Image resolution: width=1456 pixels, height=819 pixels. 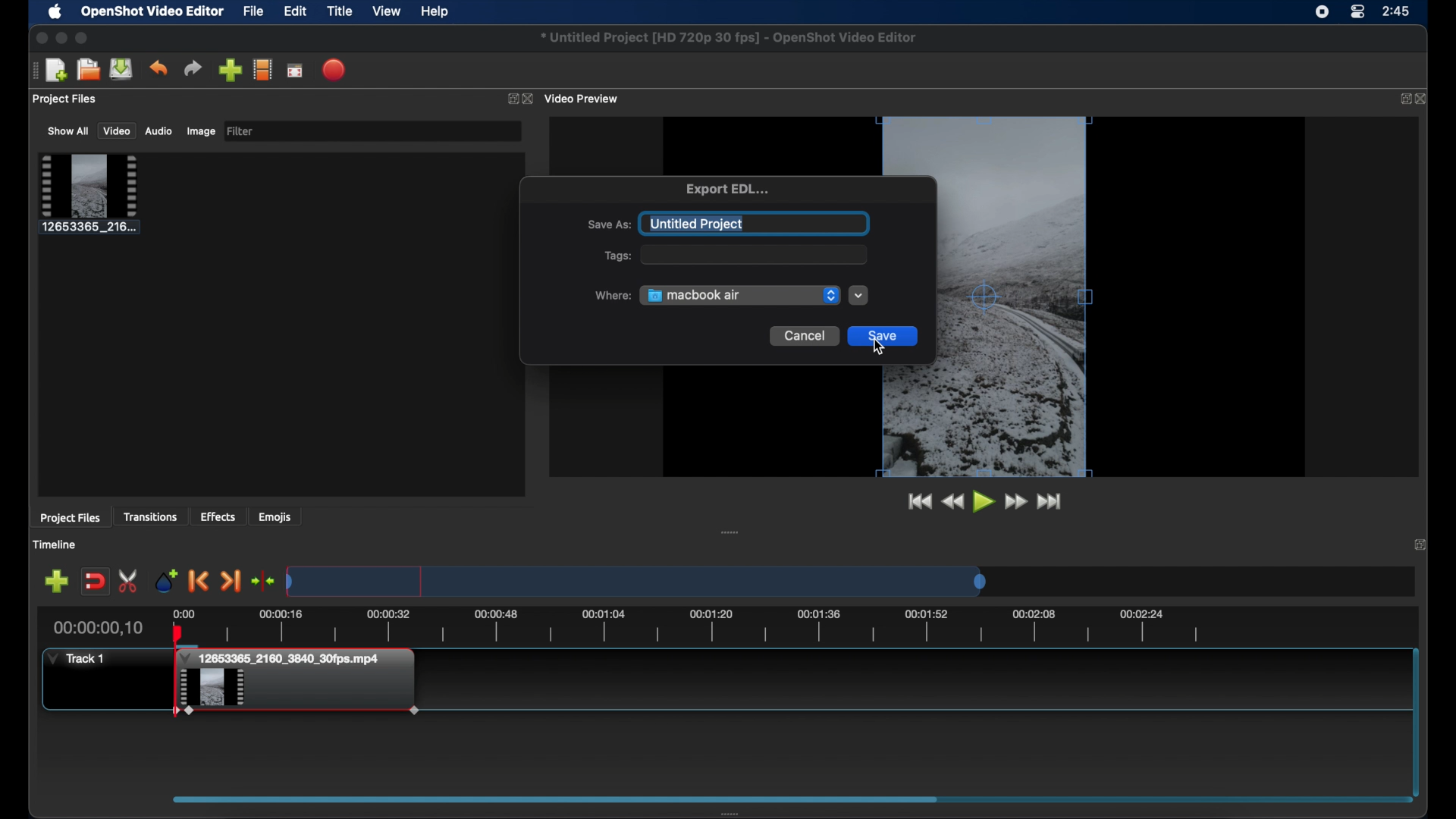 What do you see at coordinates (231, 71) in the screenshot?
I see `import files` at bounding box center [231, 71].